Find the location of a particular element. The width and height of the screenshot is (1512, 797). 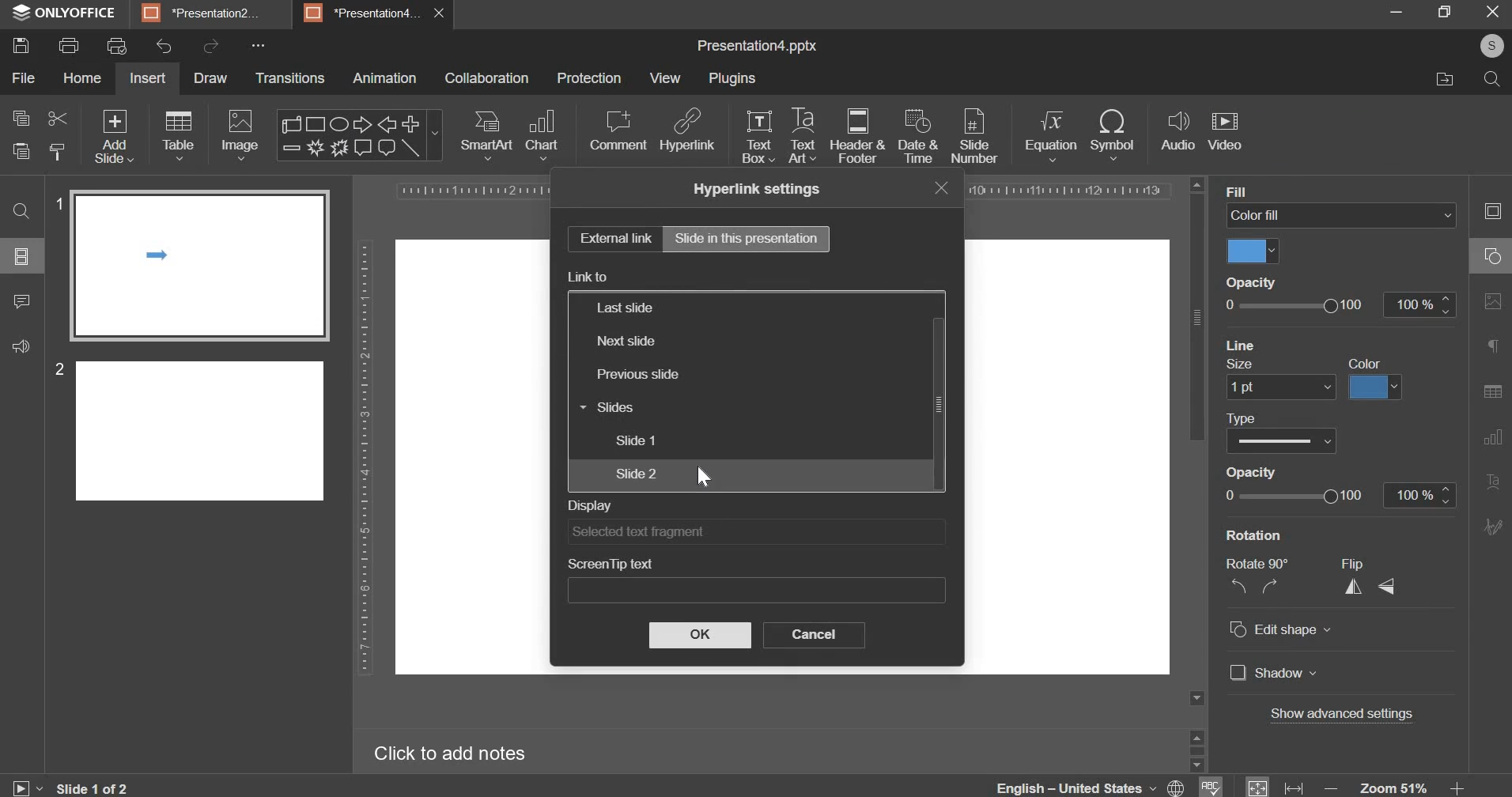

right side bar is located at coordinates (1489, 365).